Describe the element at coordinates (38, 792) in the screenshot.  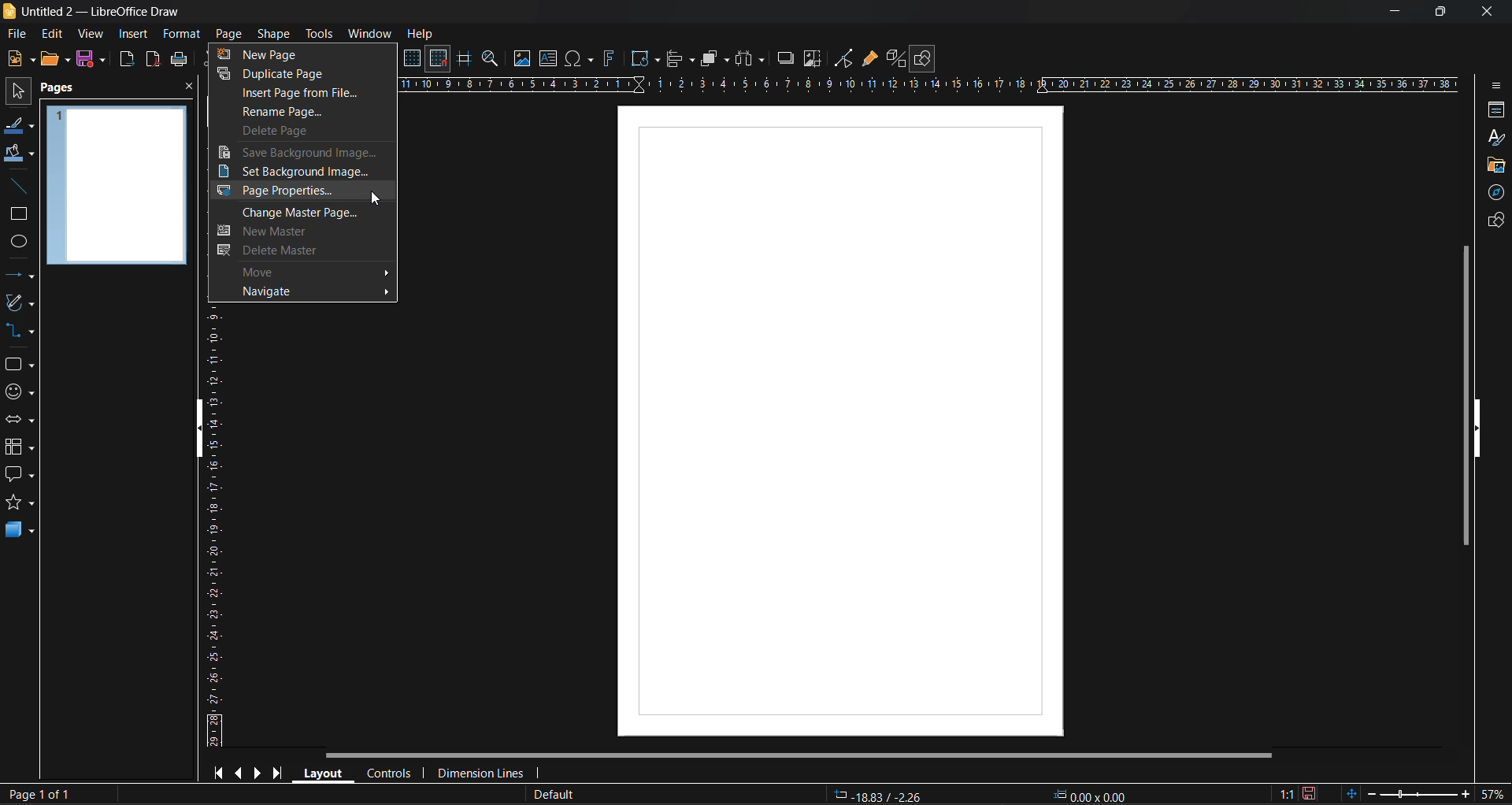
I see `page 1 of 1` at that location.